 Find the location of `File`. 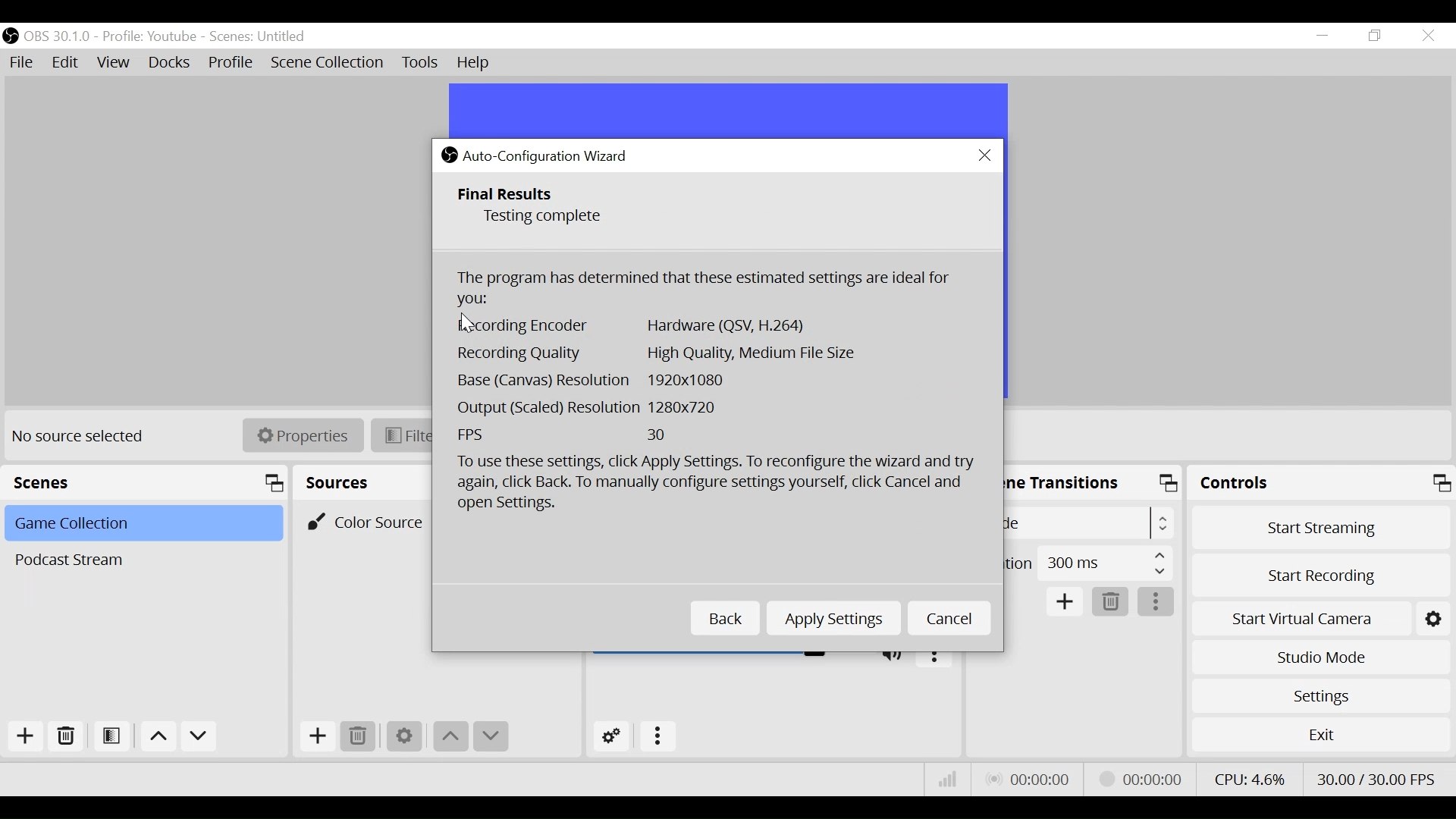

File is located at coordinates (22, 63).